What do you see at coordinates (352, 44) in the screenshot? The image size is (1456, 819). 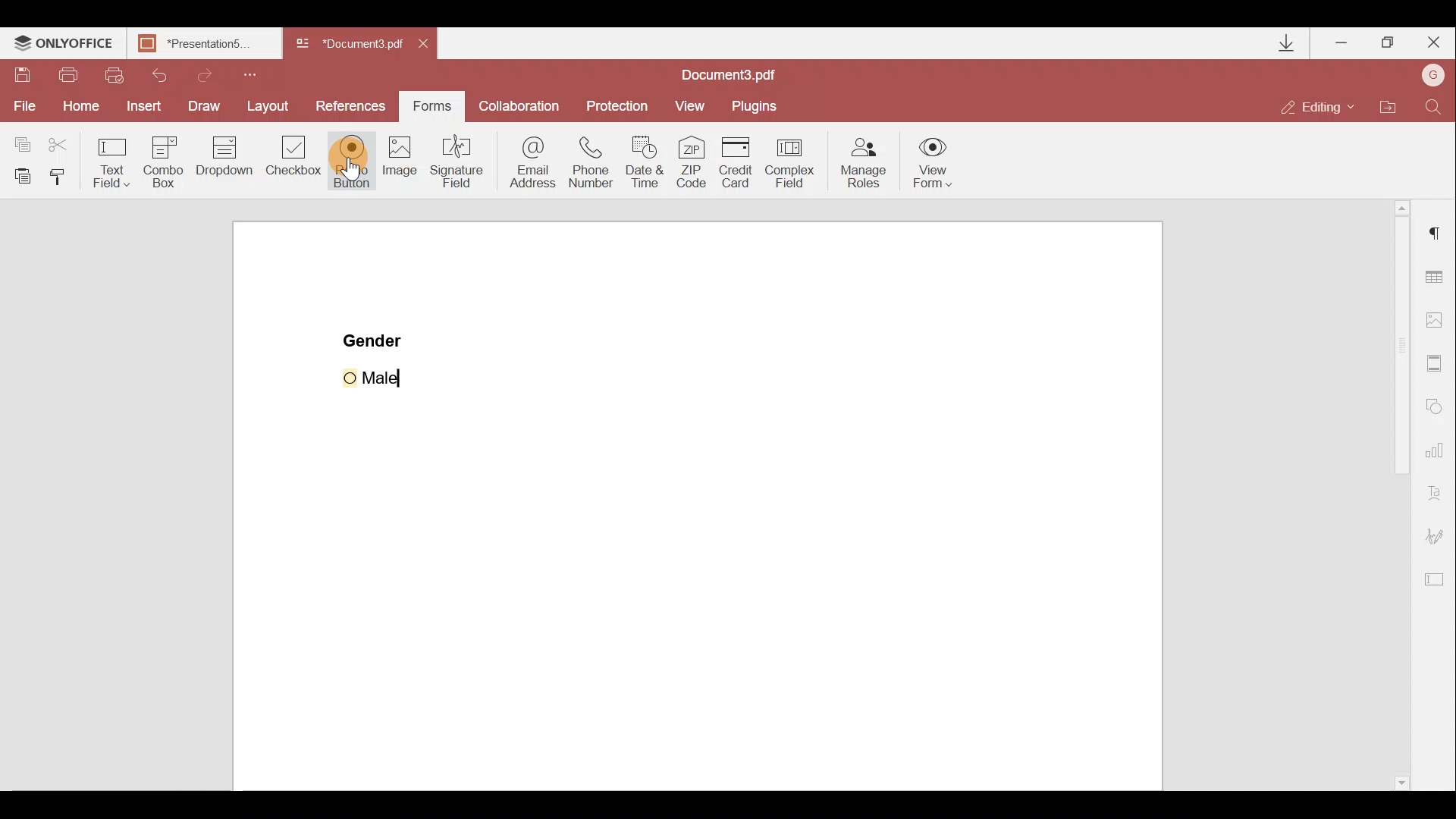 I see `Document name` at bounding box center [352, 44].